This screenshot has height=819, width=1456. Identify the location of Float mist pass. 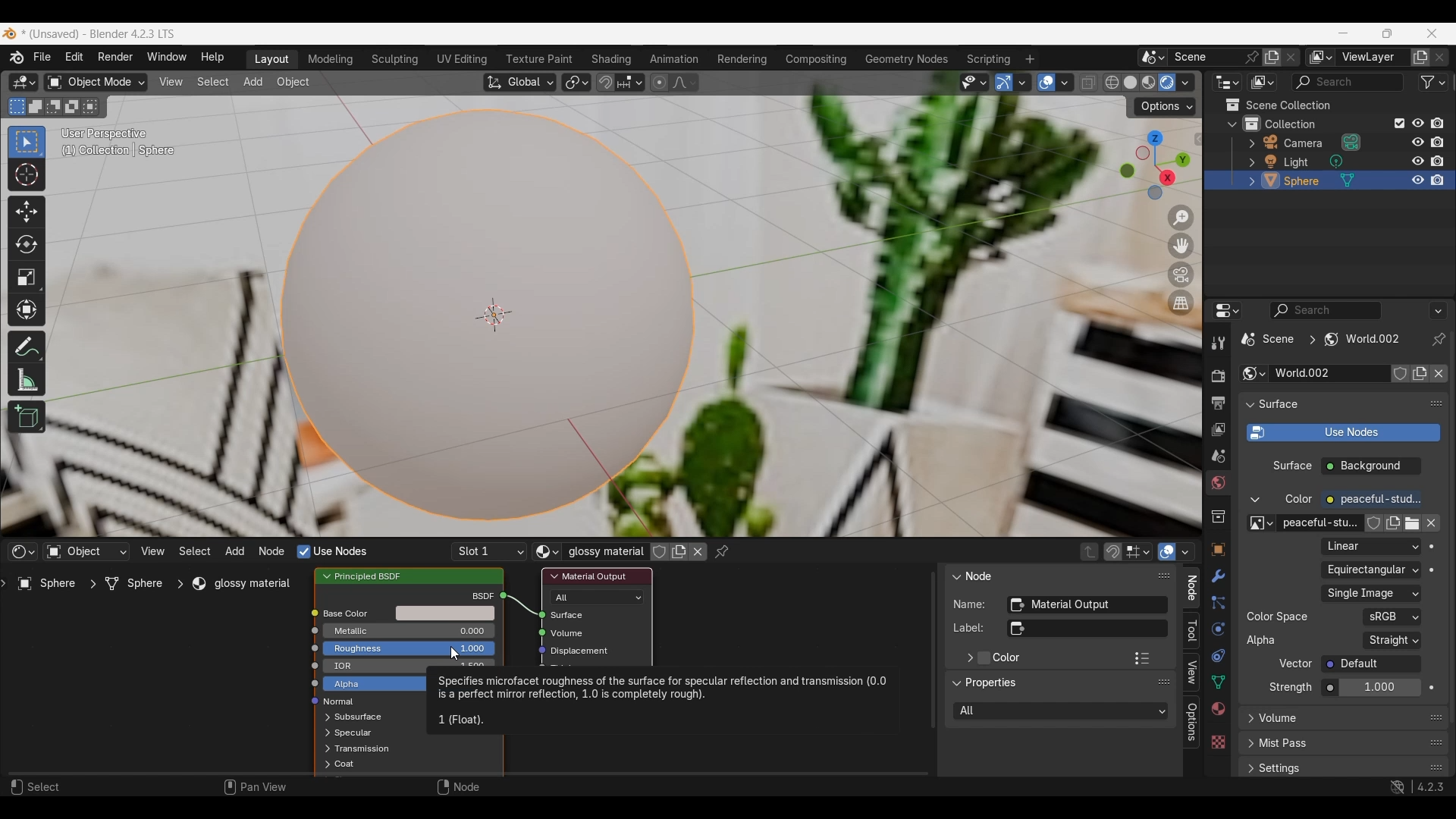
(1437, 742).